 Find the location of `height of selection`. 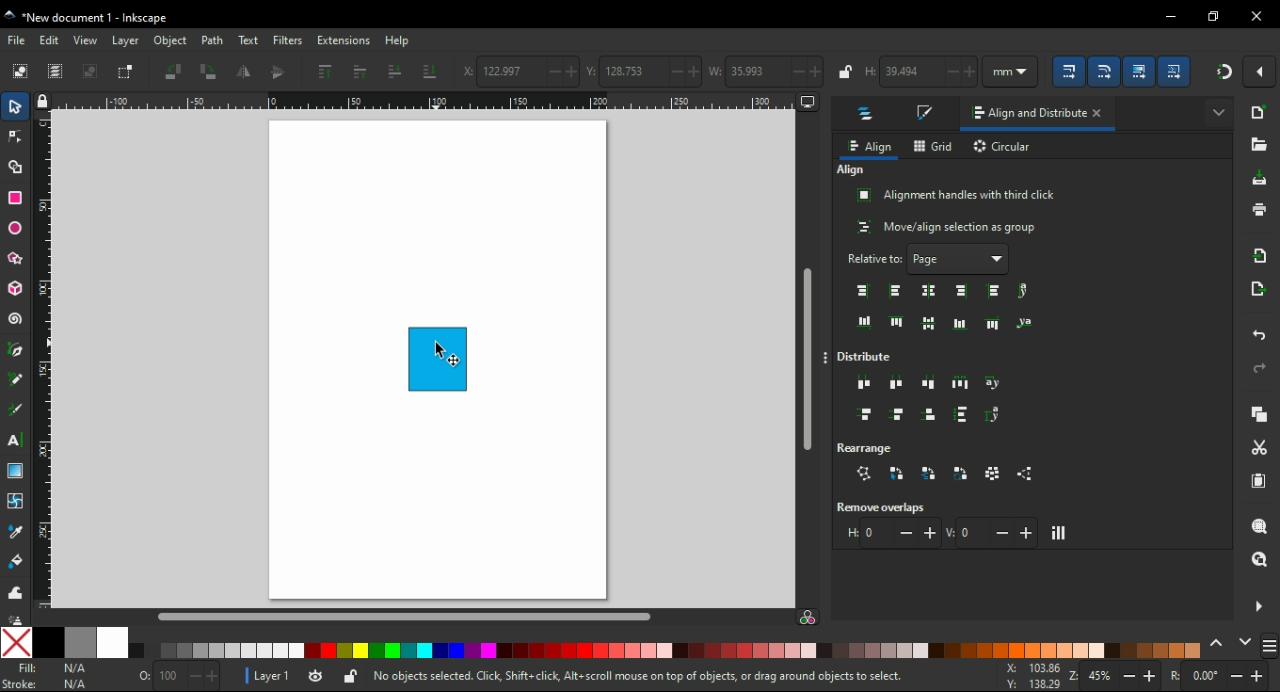

height of selection is located at coordinates (918, 72).